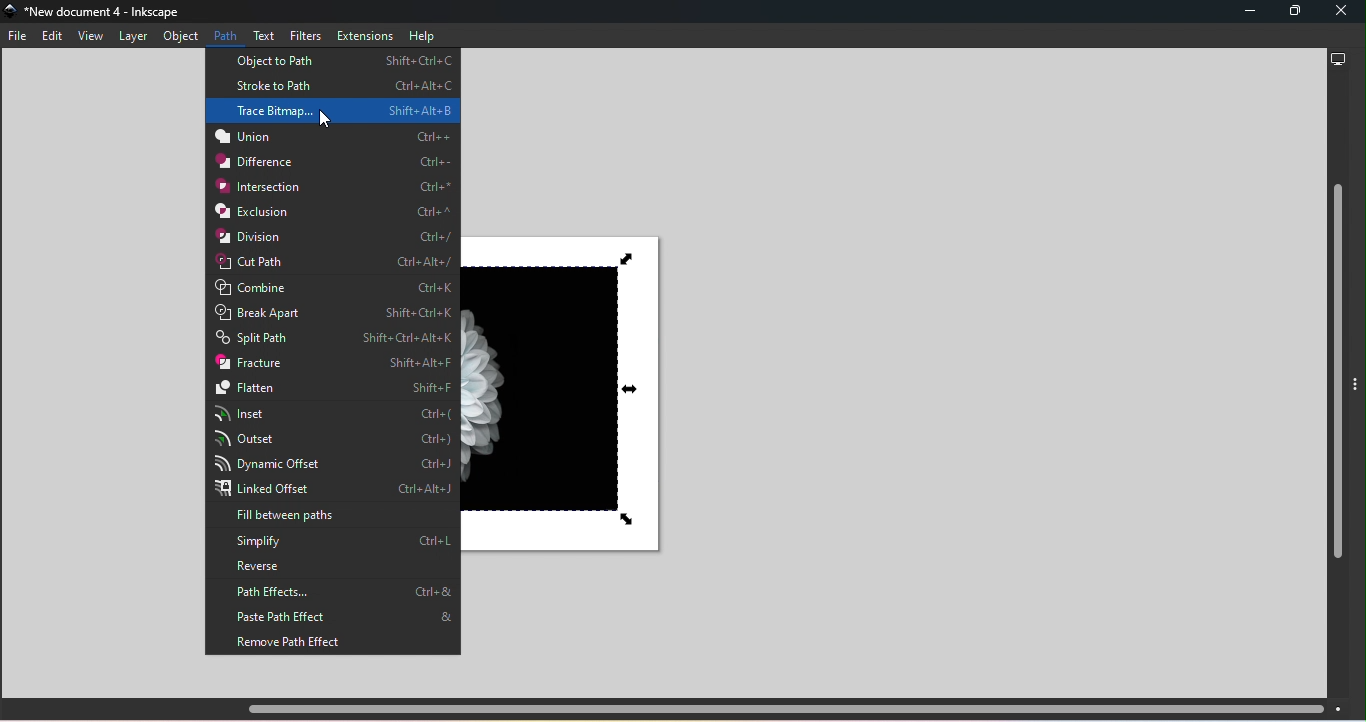 Image resolution: width=1366 pixels, height=722 pixels. Describe the element at coordinates (367, 36) in the screenshot. I see `Extensions` at that location.